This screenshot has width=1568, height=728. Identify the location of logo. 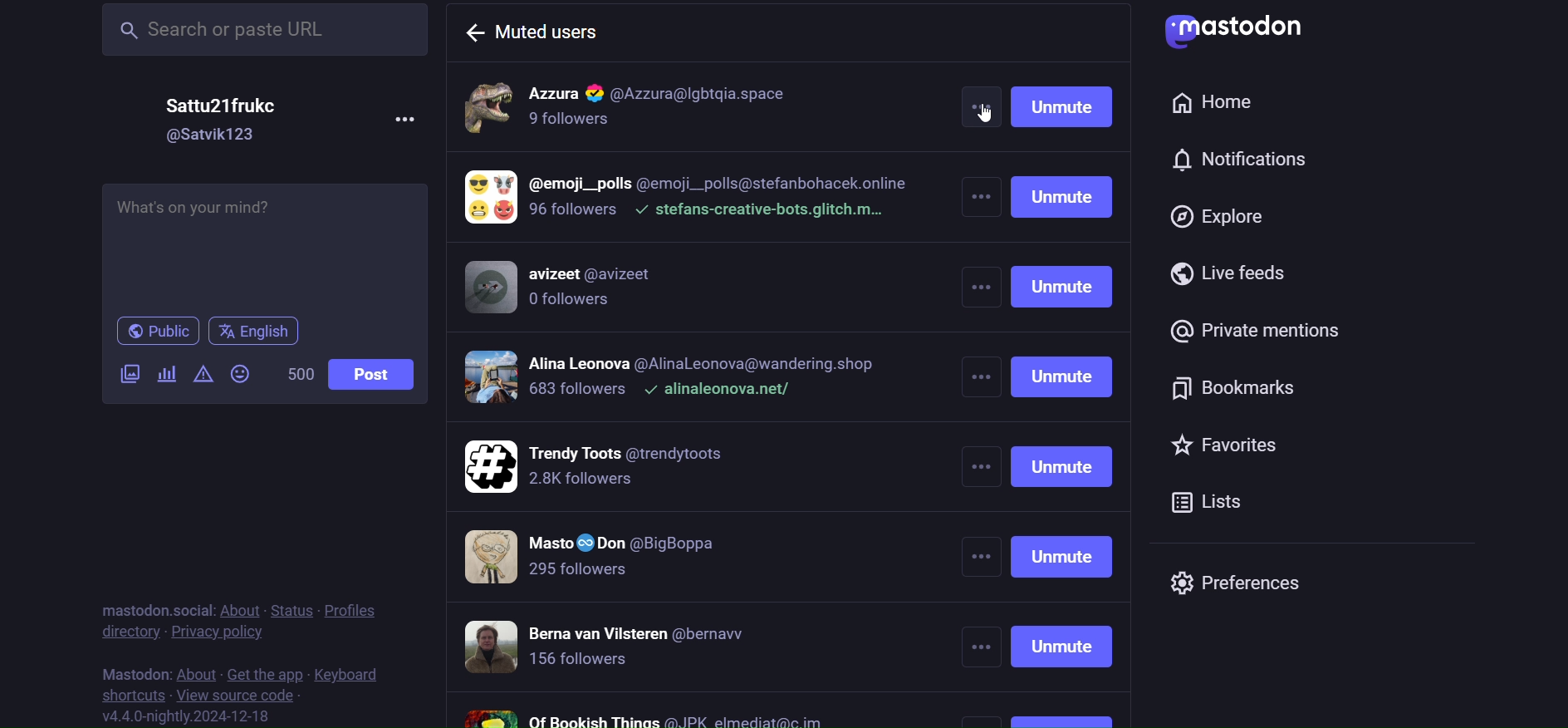
(1248, 32).